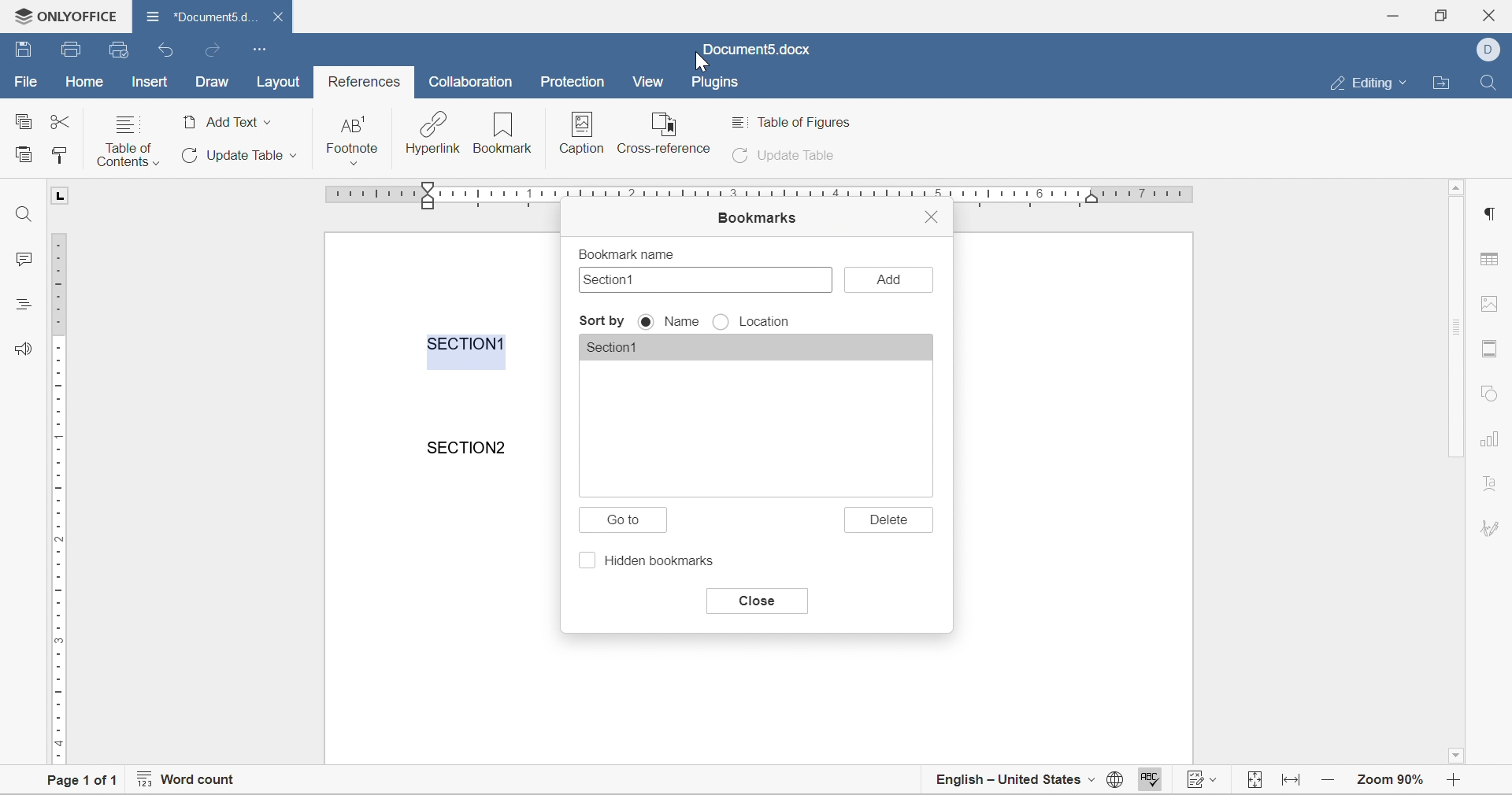 The image size is (1512, 795). I want to click on save, so click(24, 47).